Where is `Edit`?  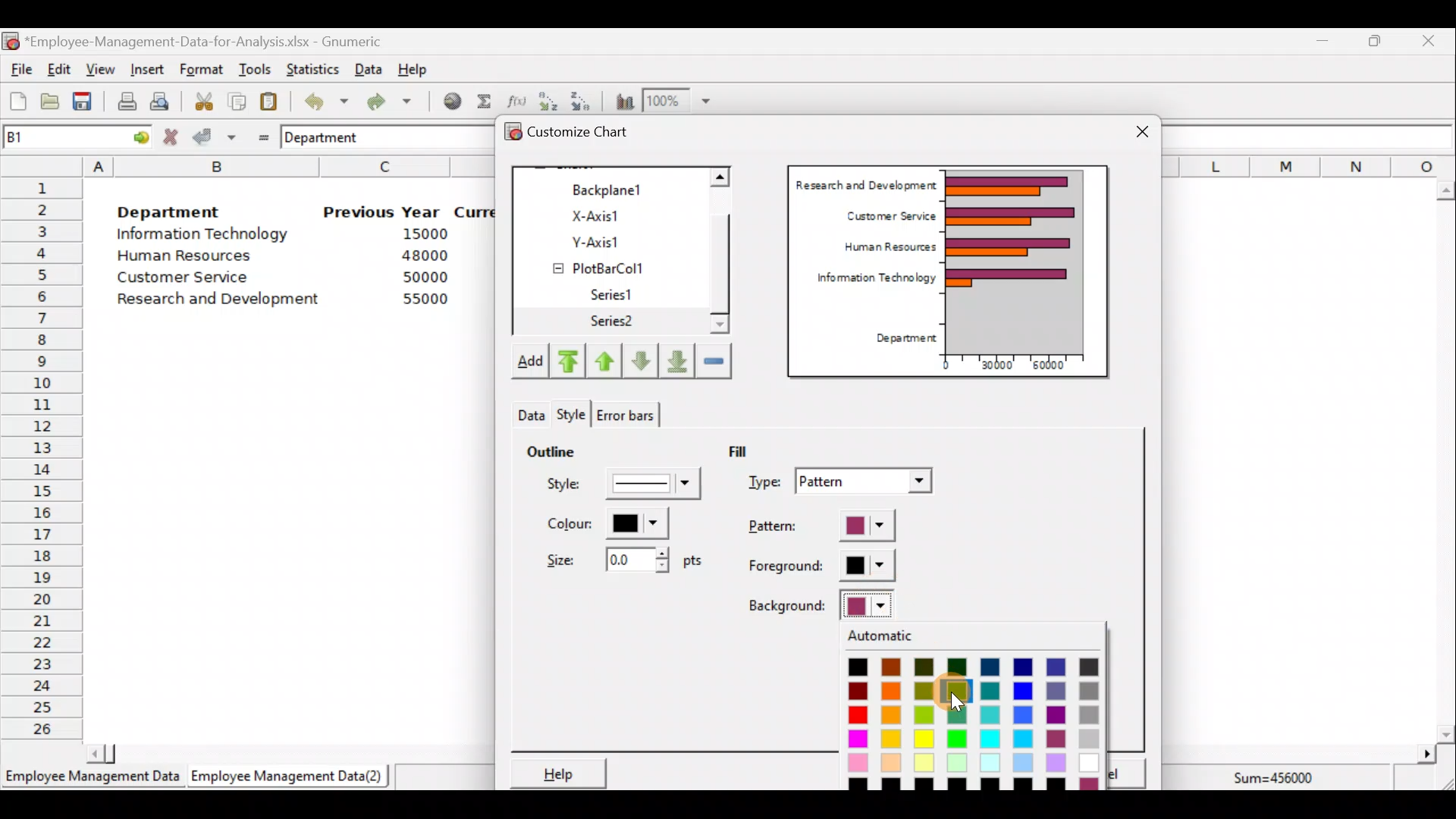
Edit is located at coordinates (60, 71).